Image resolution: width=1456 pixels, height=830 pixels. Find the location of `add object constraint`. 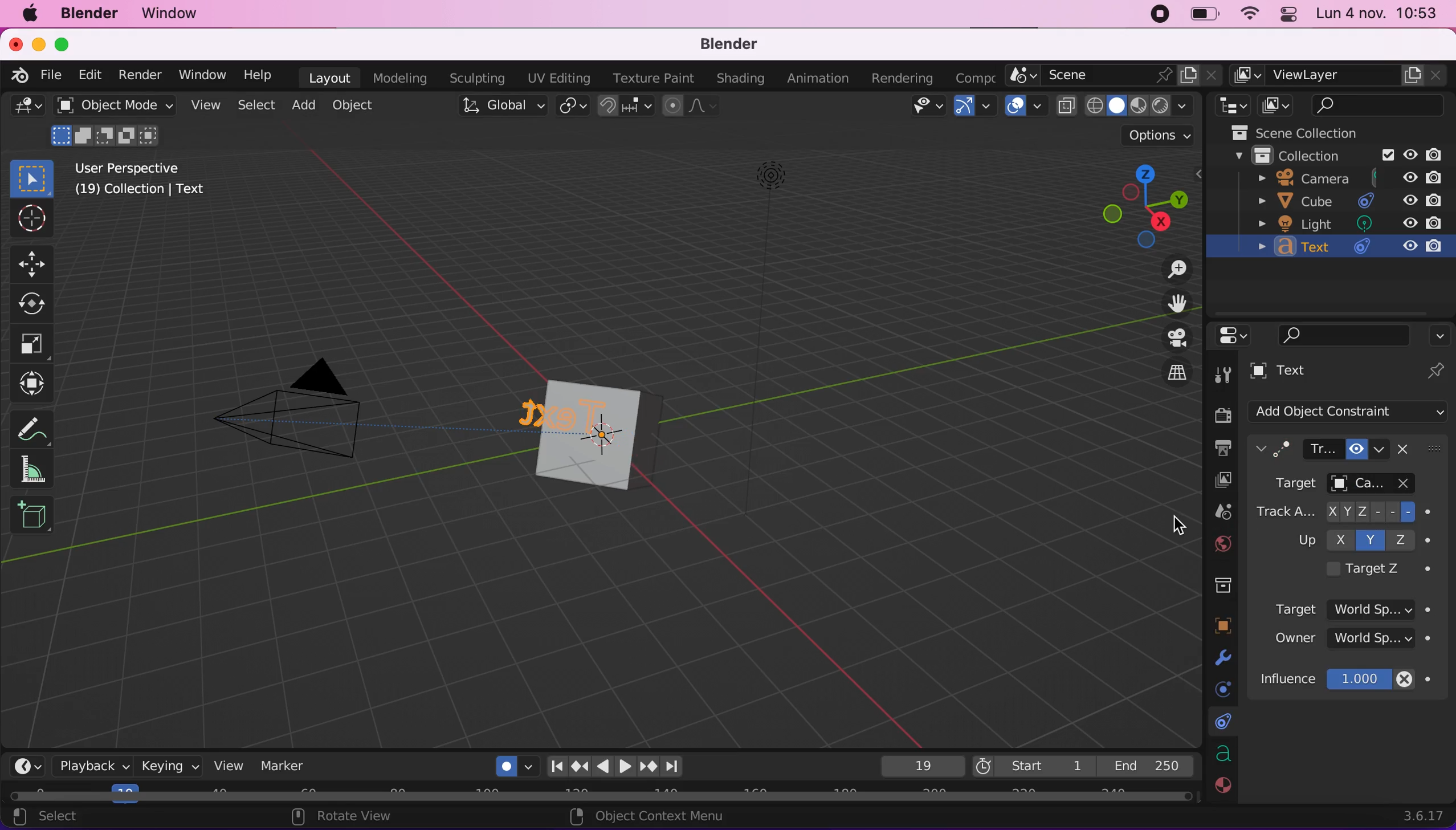

add object constraint is located at coordinates (1353, 412).